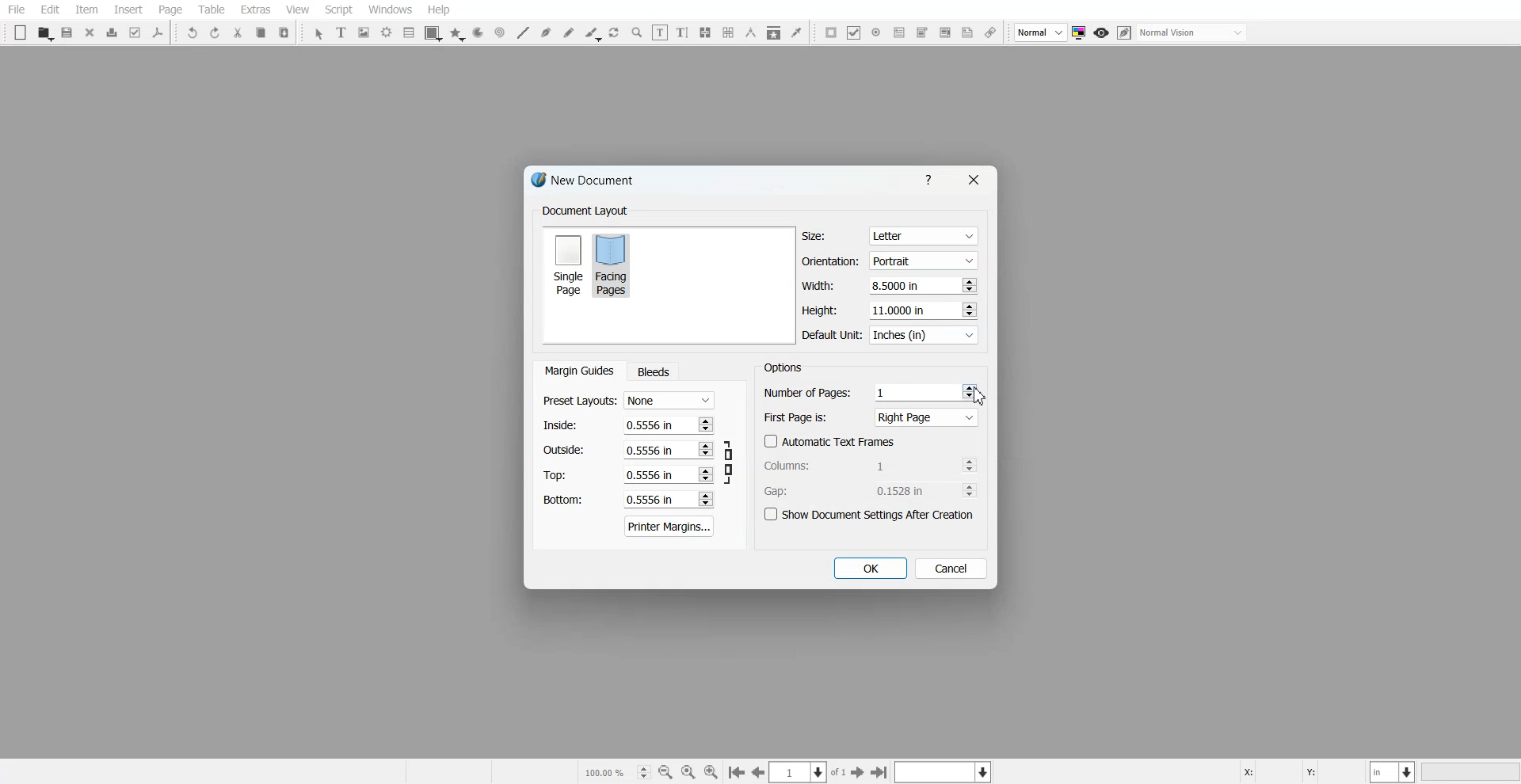 The height and width of the screenshot is (784, 1521). I want to click on Preview mode, so click(1102, 33).